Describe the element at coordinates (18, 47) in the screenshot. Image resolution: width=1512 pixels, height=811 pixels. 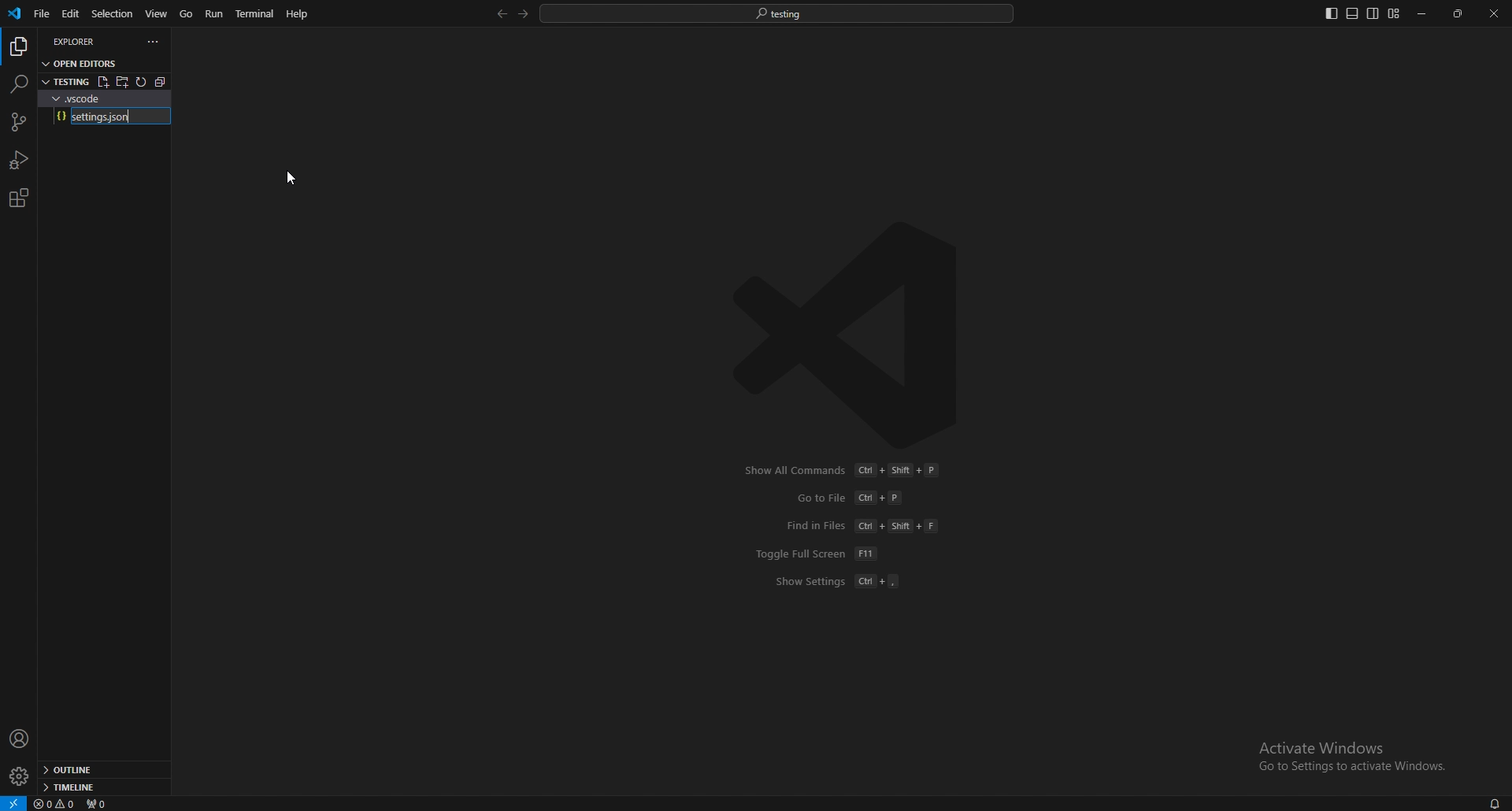
I see `explorer` at that location.